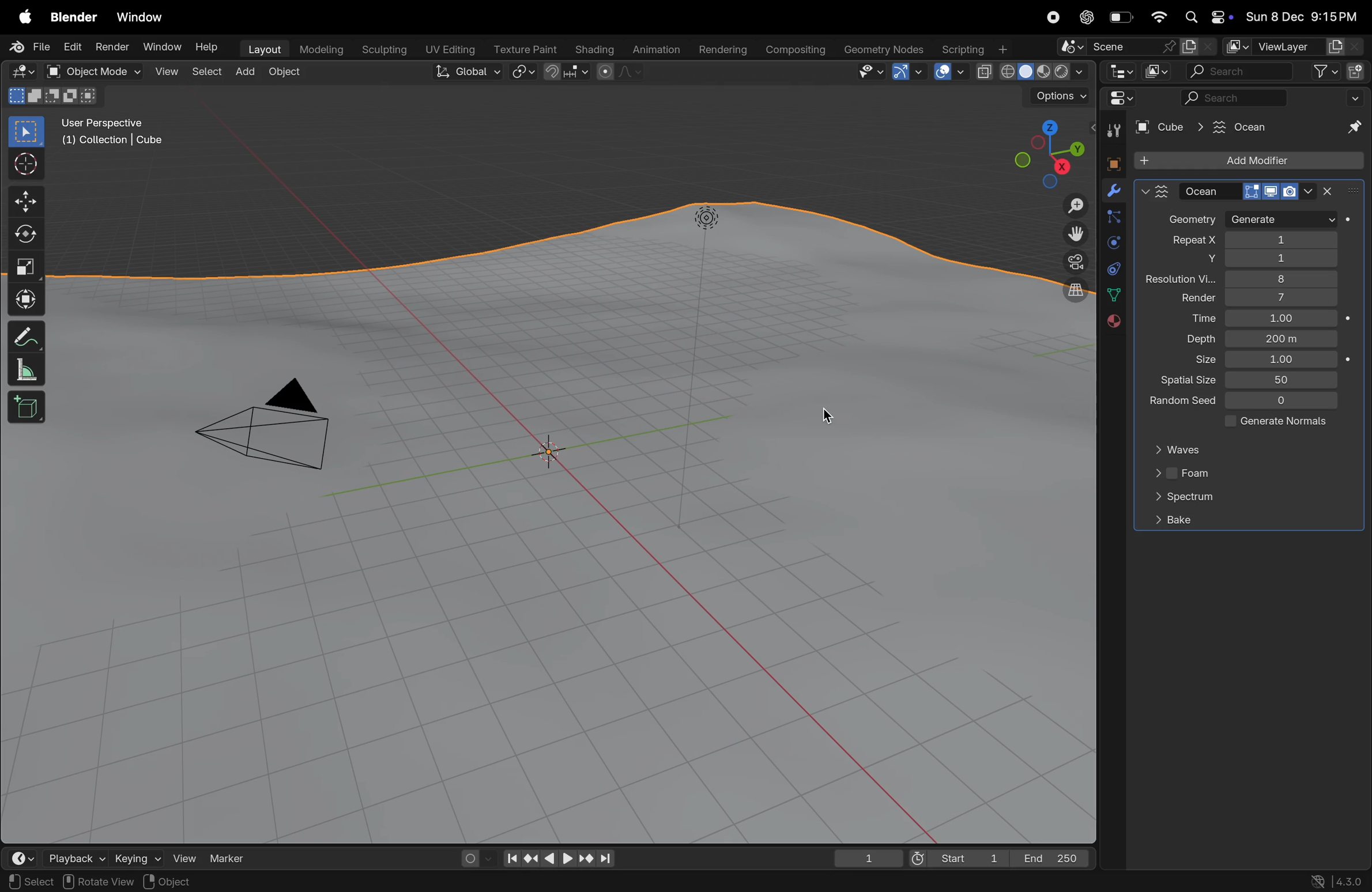 This screenshot has width=1372, height=892. What do you see at coordinates (1318, 72) in the screenshot?
I see `new filters` at bounding box center [1318, 72].